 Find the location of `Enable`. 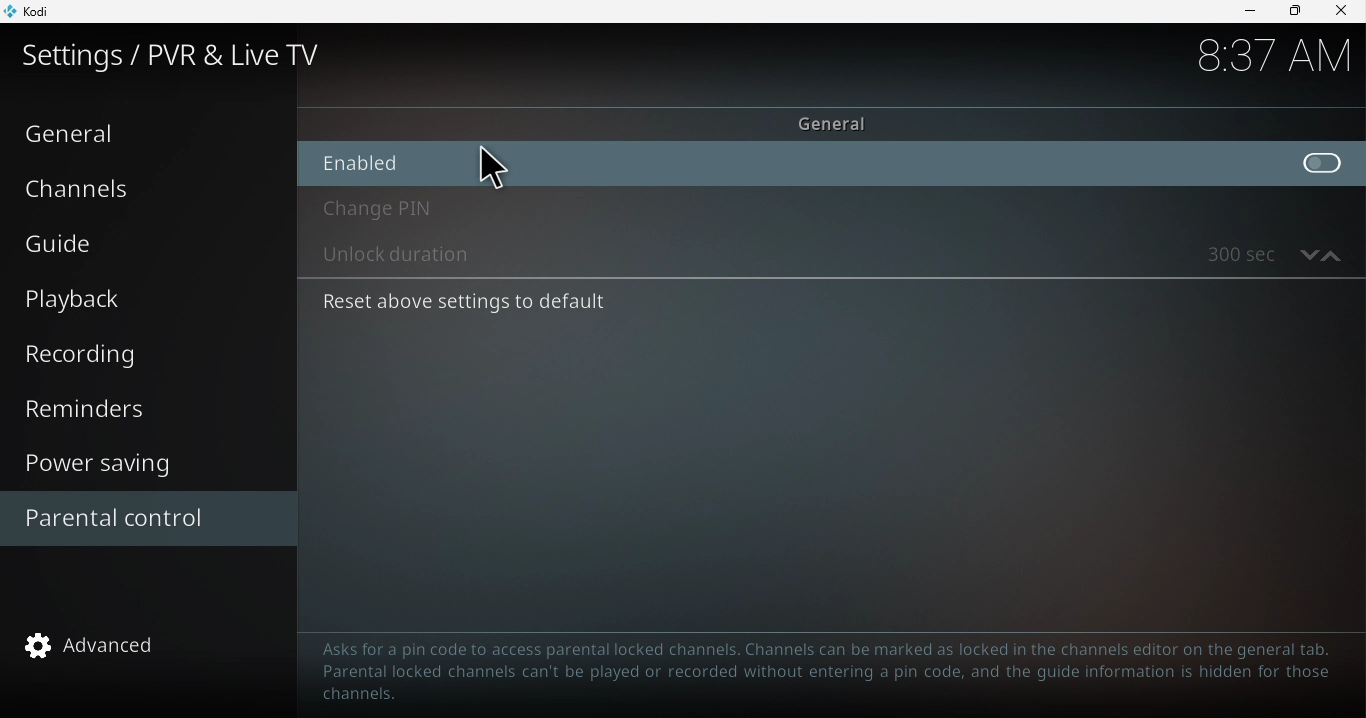

Enable is located at coordinates (825, 167).